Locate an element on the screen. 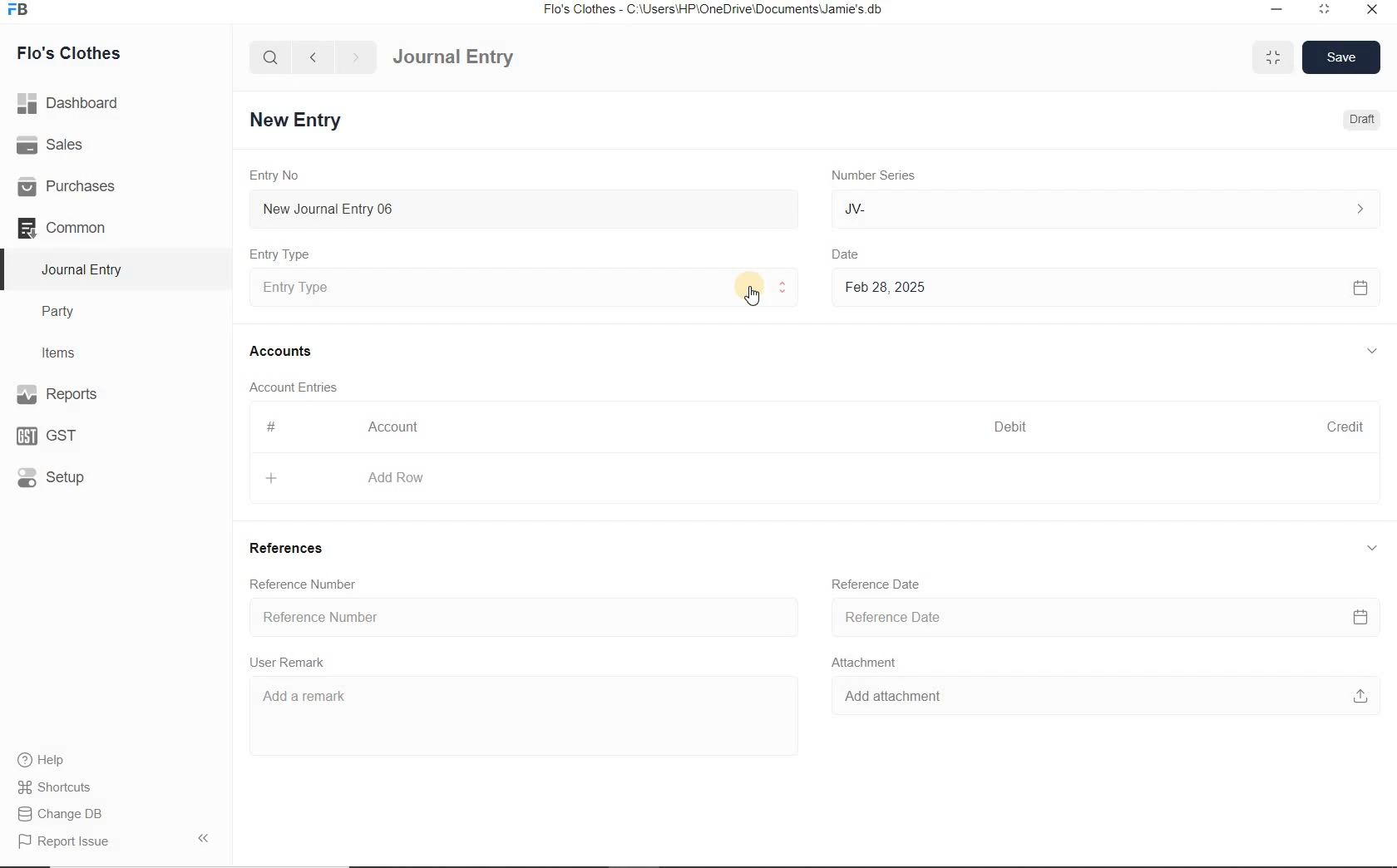  Reference Date is located at coordinates (1106, 615).